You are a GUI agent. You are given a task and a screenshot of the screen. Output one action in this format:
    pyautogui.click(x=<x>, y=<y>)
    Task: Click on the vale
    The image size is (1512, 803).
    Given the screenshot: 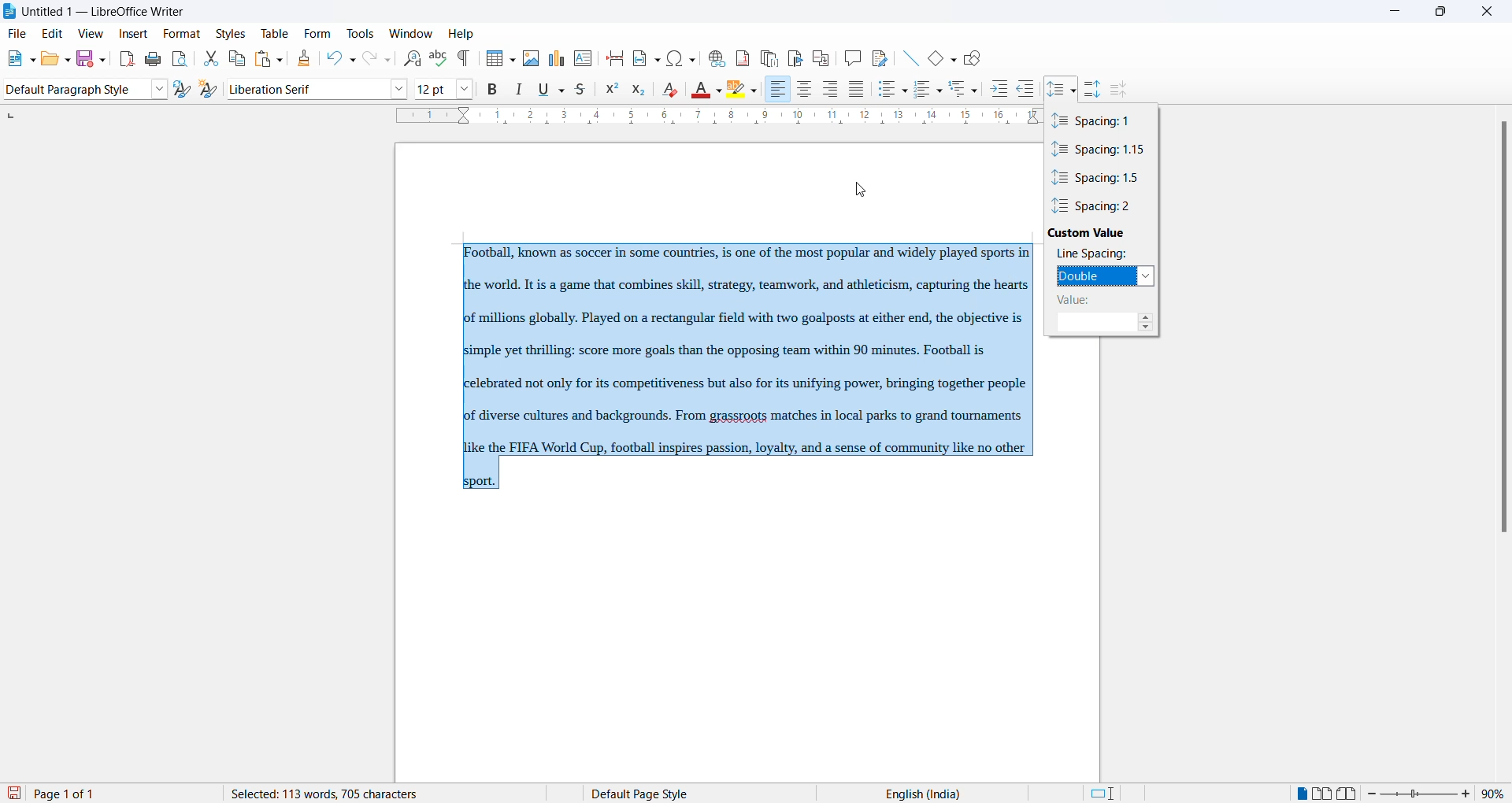 What is the action you would take?
    pyautogui.click(x=1081, y=302)
    